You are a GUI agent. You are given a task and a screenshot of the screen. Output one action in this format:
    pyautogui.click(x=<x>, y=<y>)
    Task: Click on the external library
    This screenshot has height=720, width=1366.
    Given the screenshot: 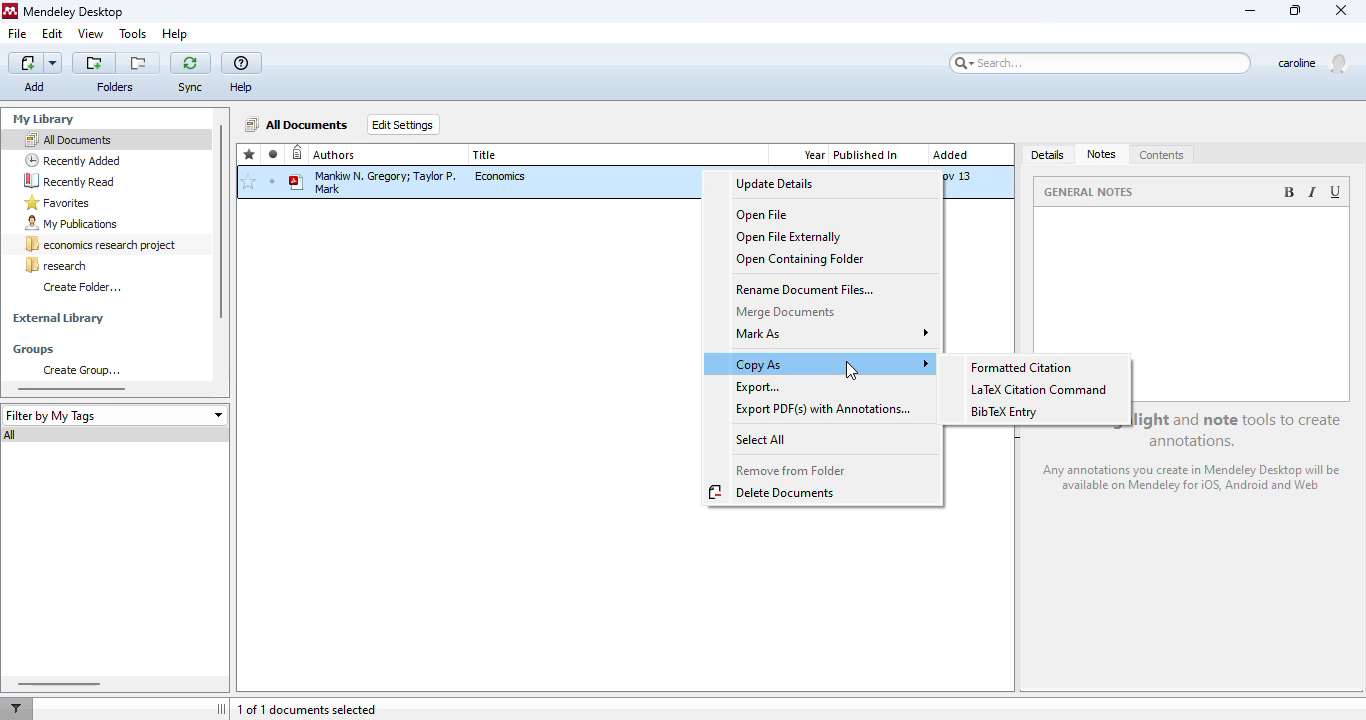 What is the action you would take?
    pyautogui.click(x=58, y=319)
    